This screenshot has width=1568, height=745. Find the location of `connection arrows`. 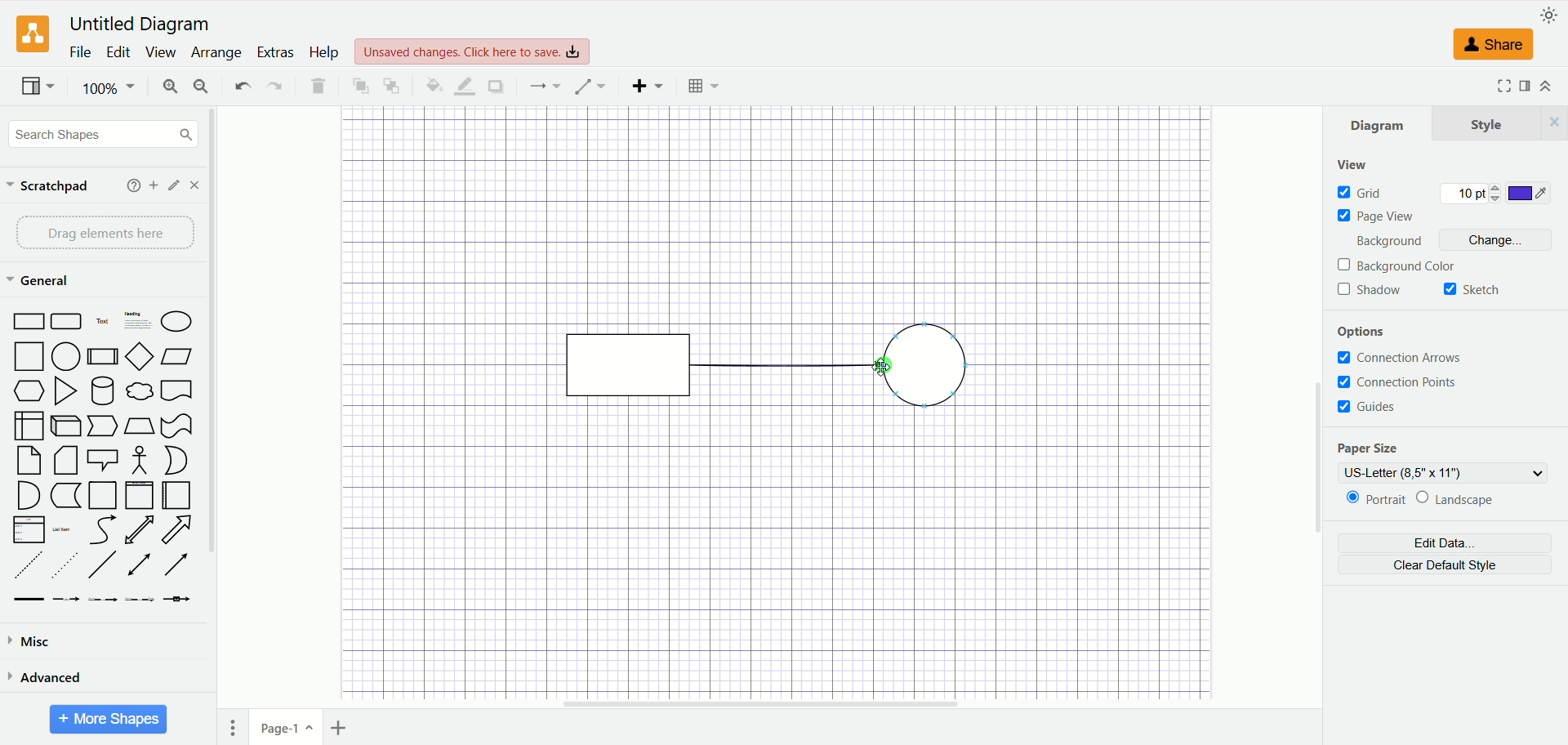

connection arrows is located at coordinates (1399, 358).